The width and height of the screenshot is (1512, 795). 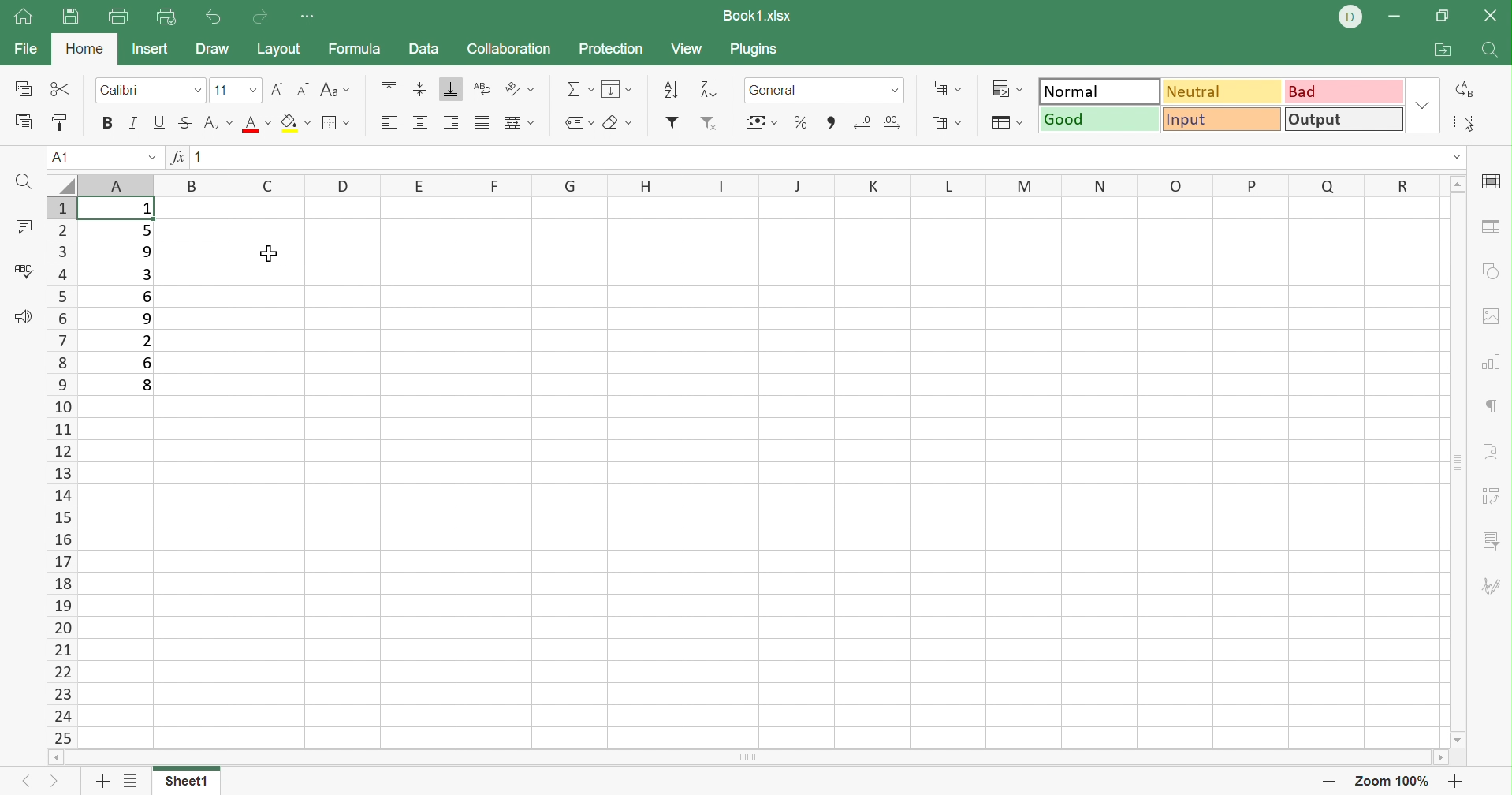 I want to click on Print, so click(x=121, y=16).